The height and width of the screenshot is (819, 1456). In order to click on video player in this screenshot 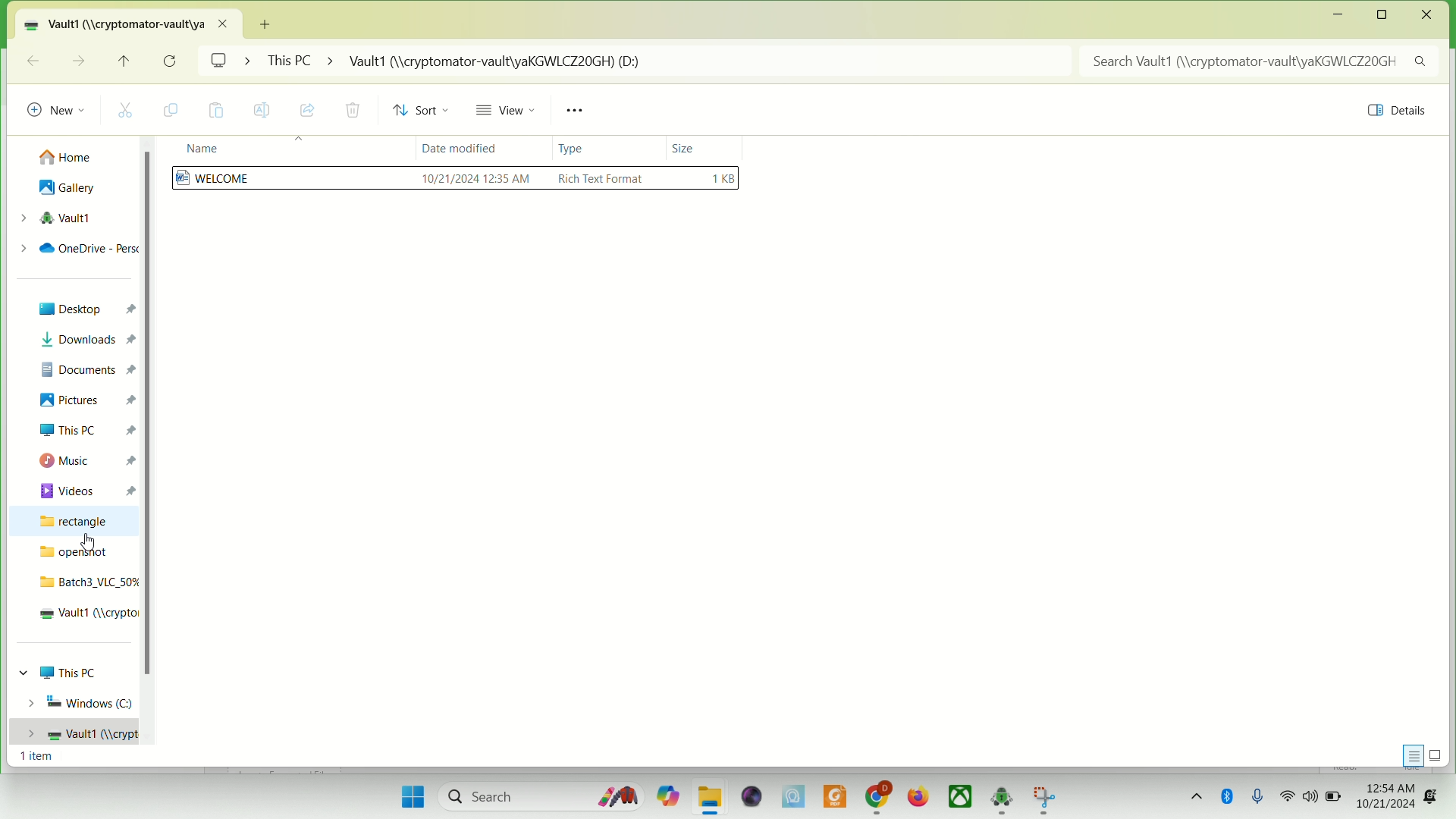, I will do `click(748, 795)`.